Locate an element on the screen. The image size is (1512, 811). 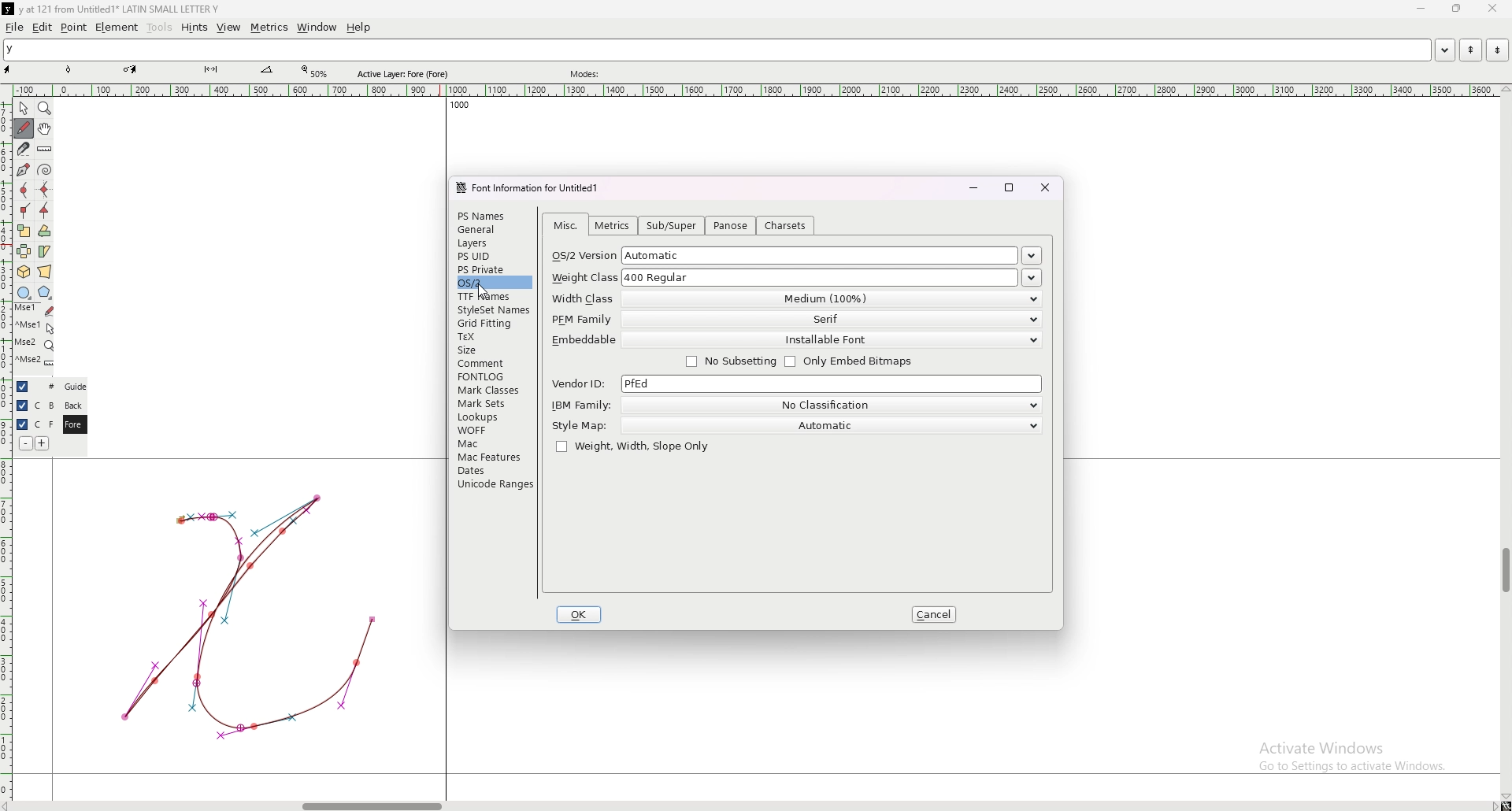
weight, width, slope only is located at coordinates (632, 447).